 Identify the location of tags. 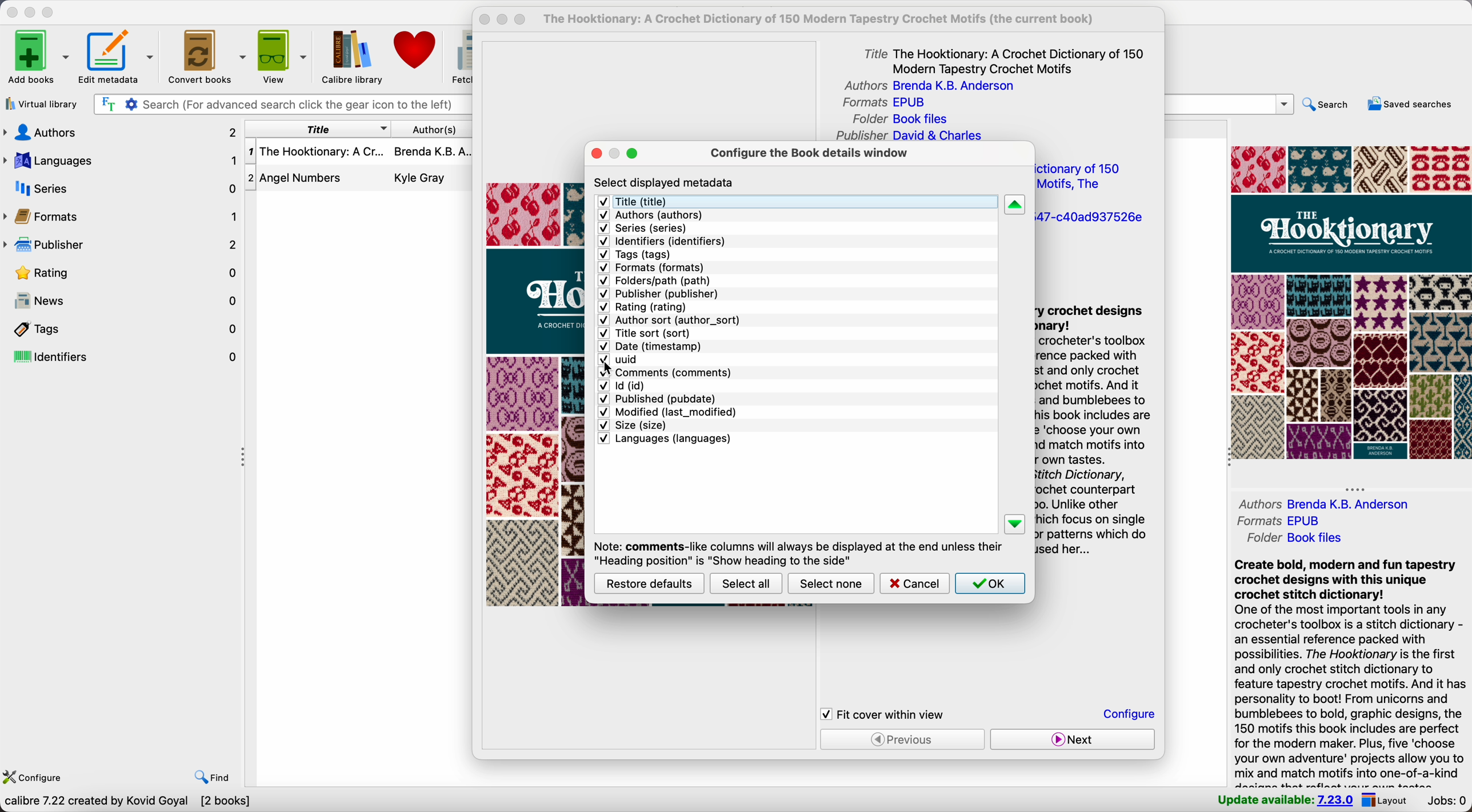
(122, 329).